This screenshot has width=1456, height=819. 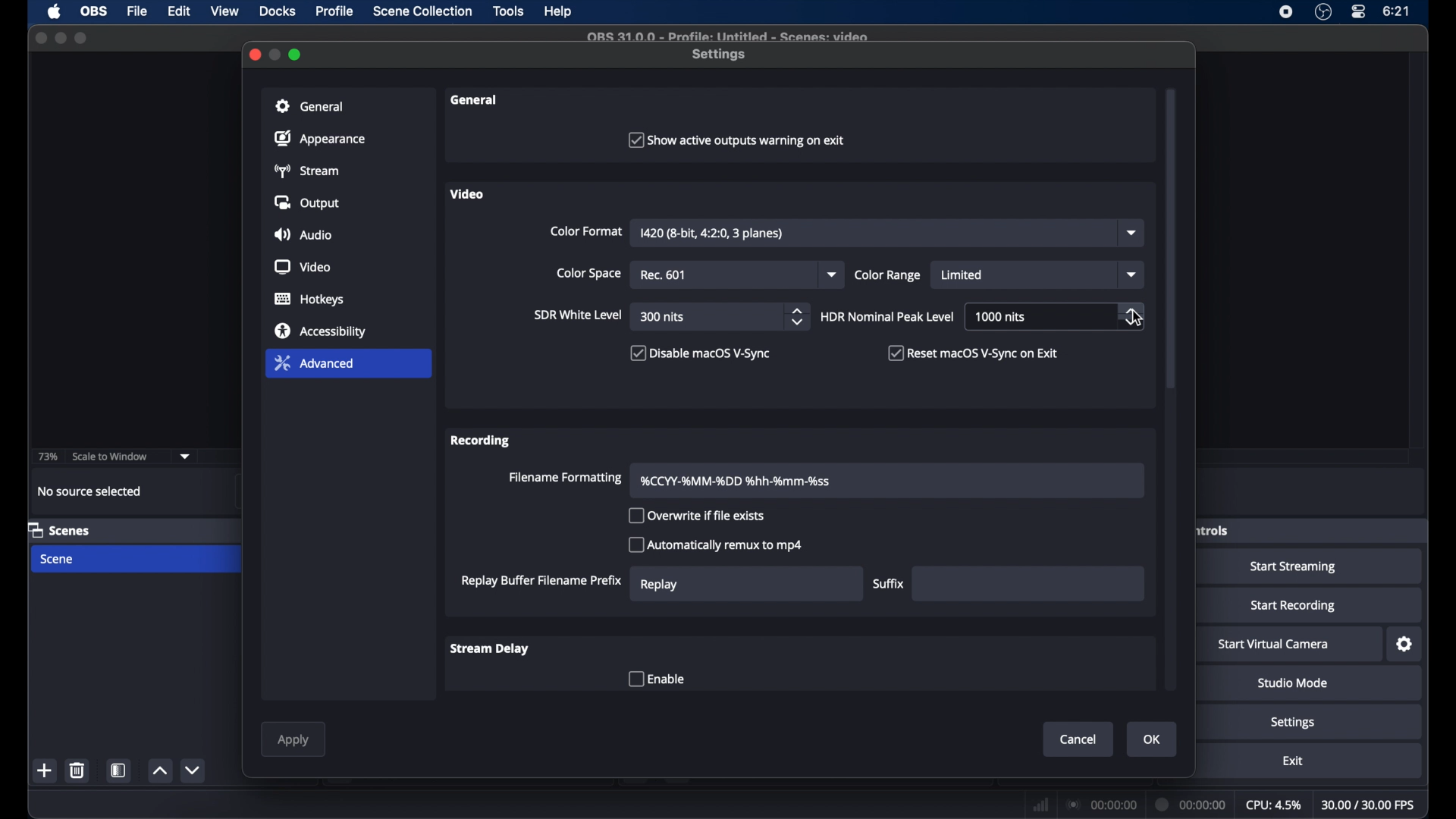 I want to click on obs 31.0 profile limited scenes video, so click(x=736, y=36).